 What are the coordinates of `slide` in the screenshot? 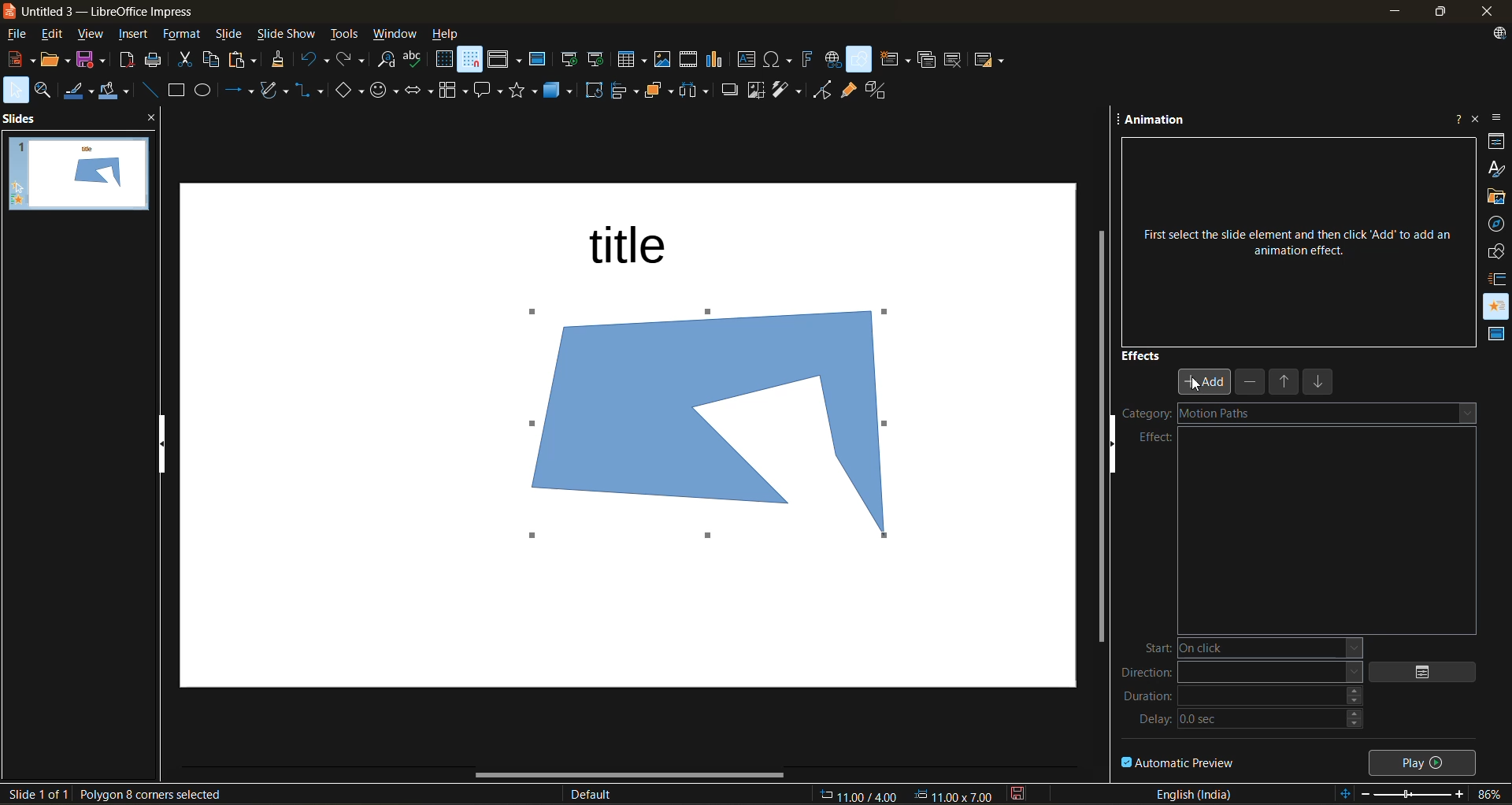 It's located at (231, 36).